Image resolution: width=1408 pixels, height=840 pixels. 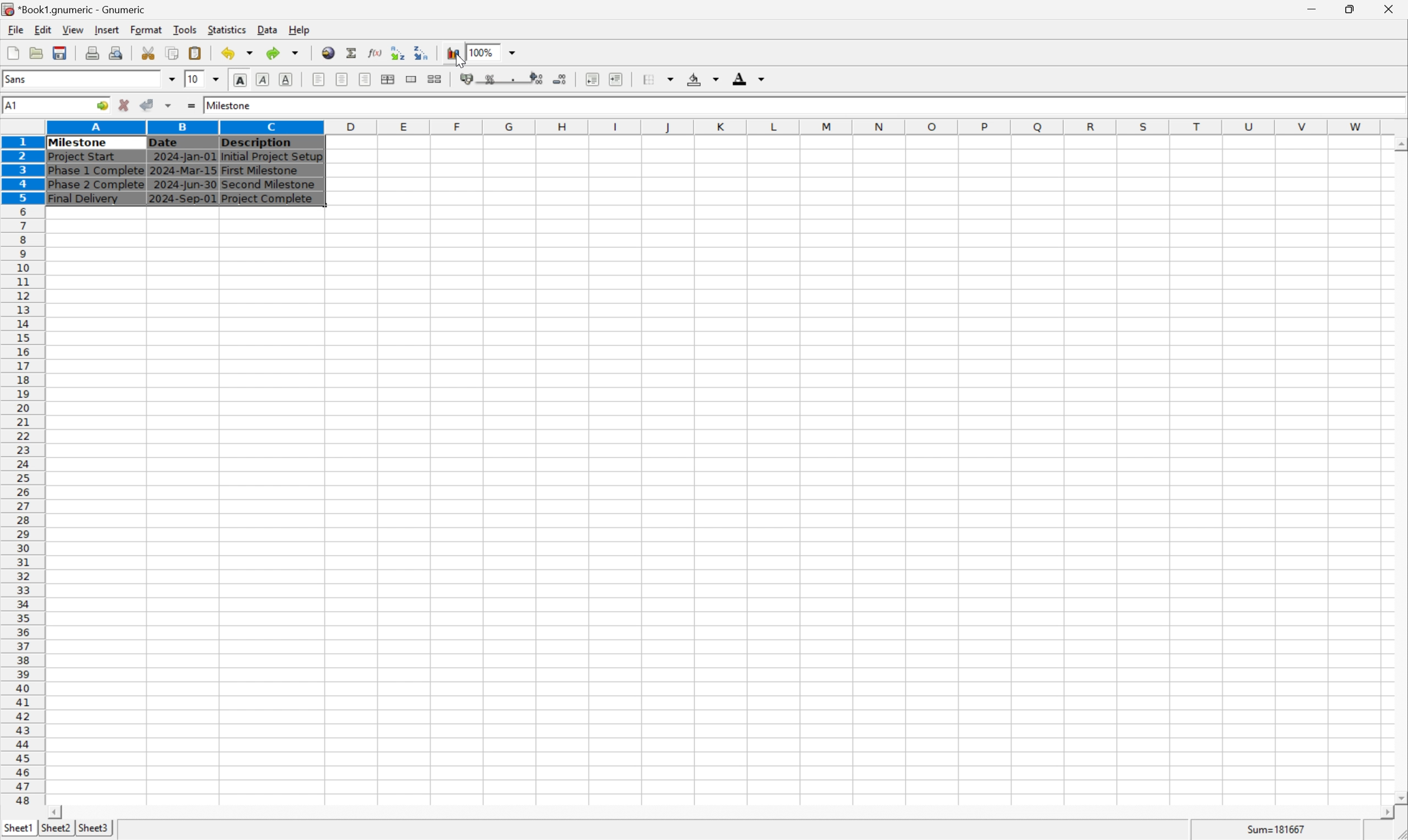 I want to click on highlight color, so click(x=700, y=77).